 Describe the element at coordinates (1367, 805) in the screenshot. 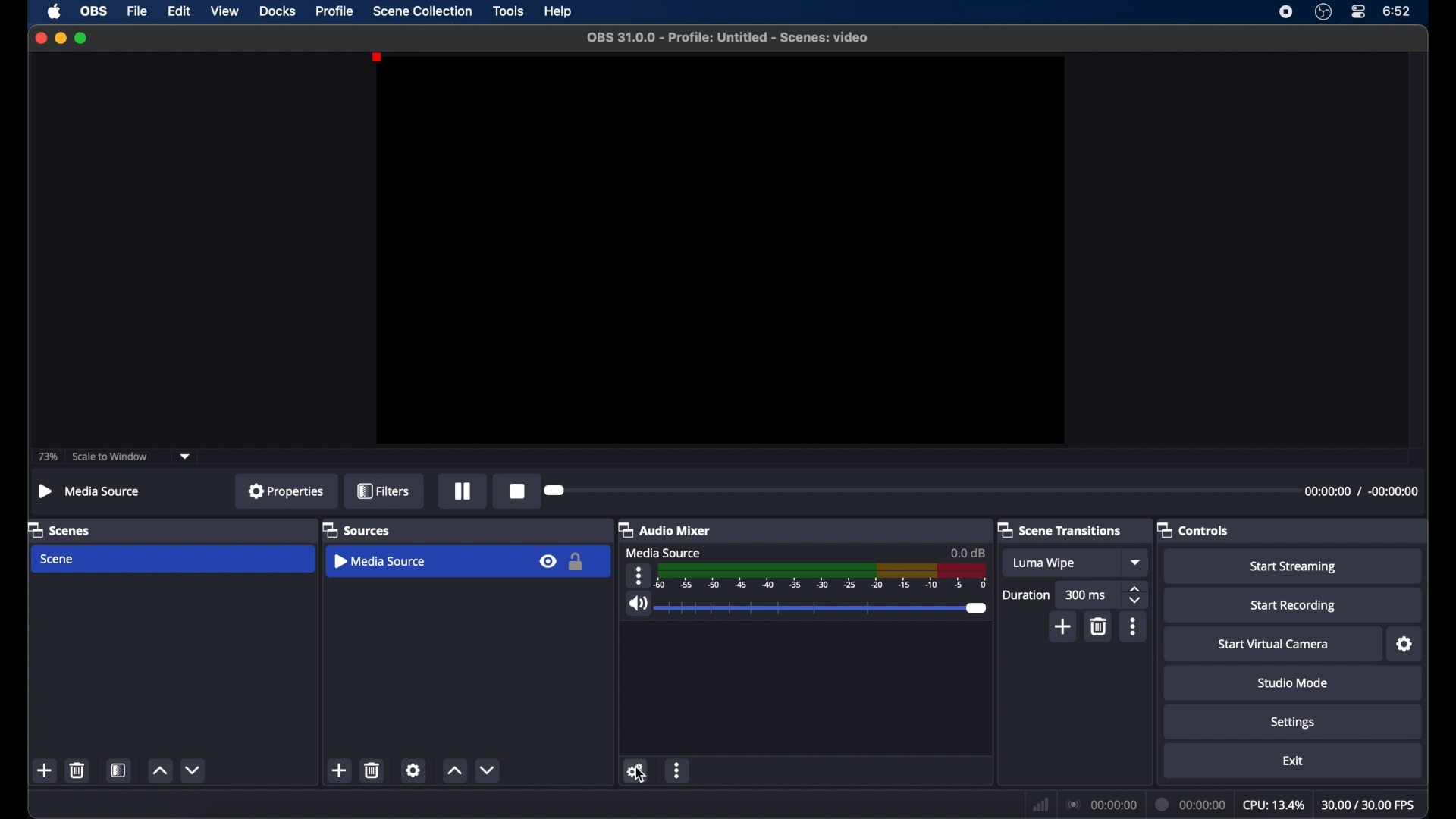

I see `fps` at that location.